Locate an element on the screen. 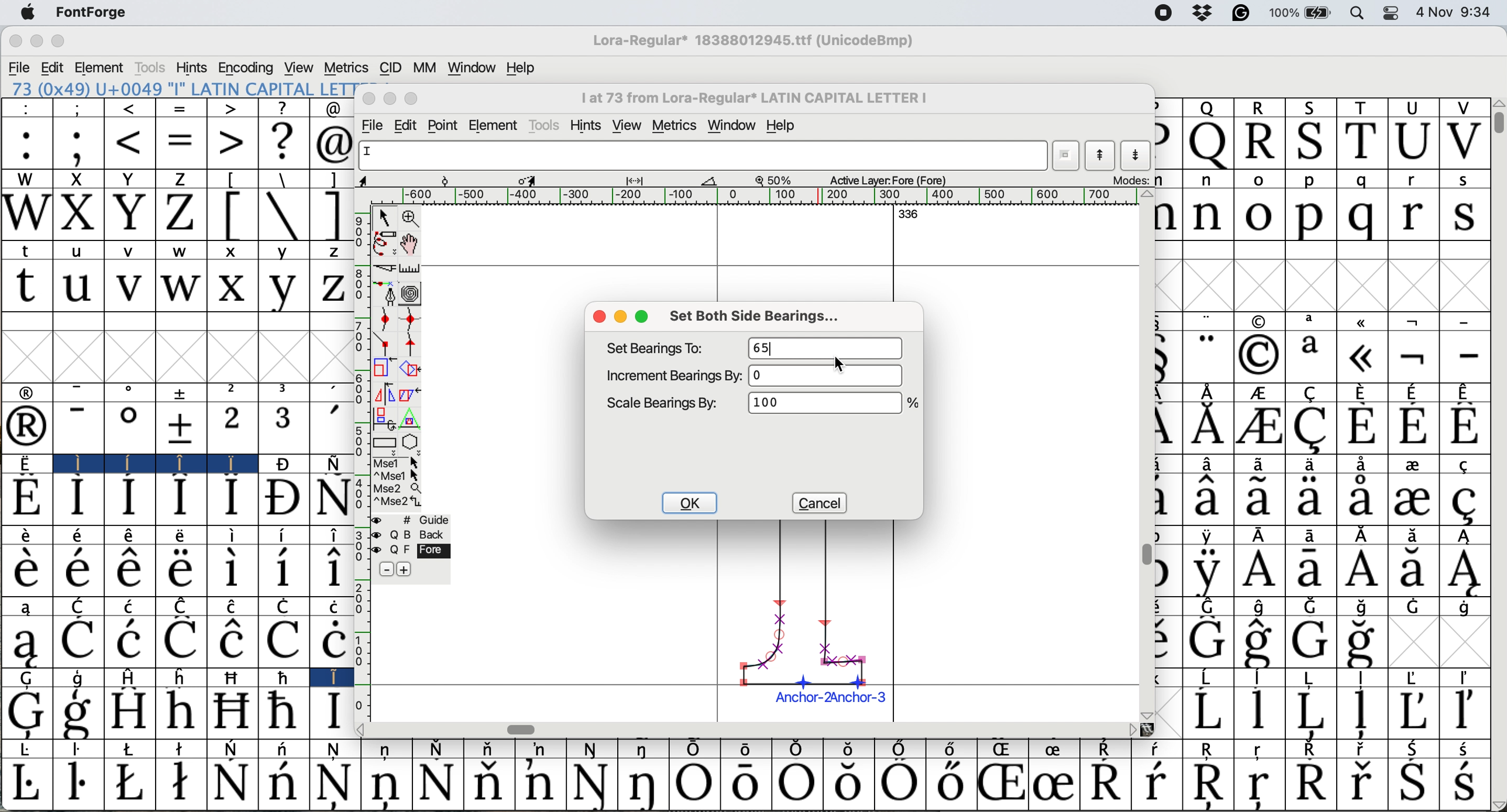 The height and width of the screenshot is (812, 1507). zoom in is located at coordinates (411, 218).